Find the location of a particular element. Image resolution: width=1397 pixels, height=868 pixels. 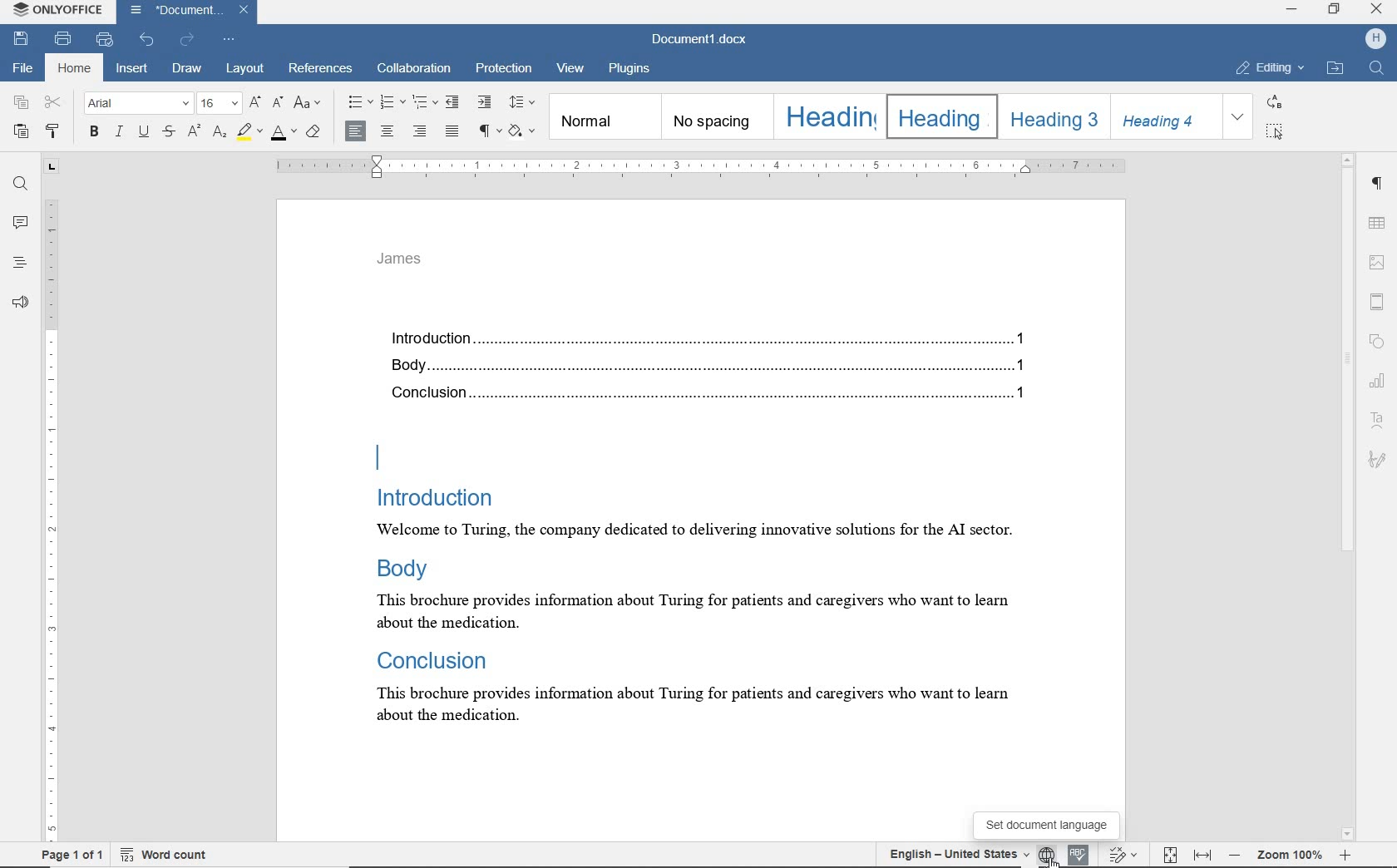

OPEN FILE LOCATION is located at coordinates (1335, 69).